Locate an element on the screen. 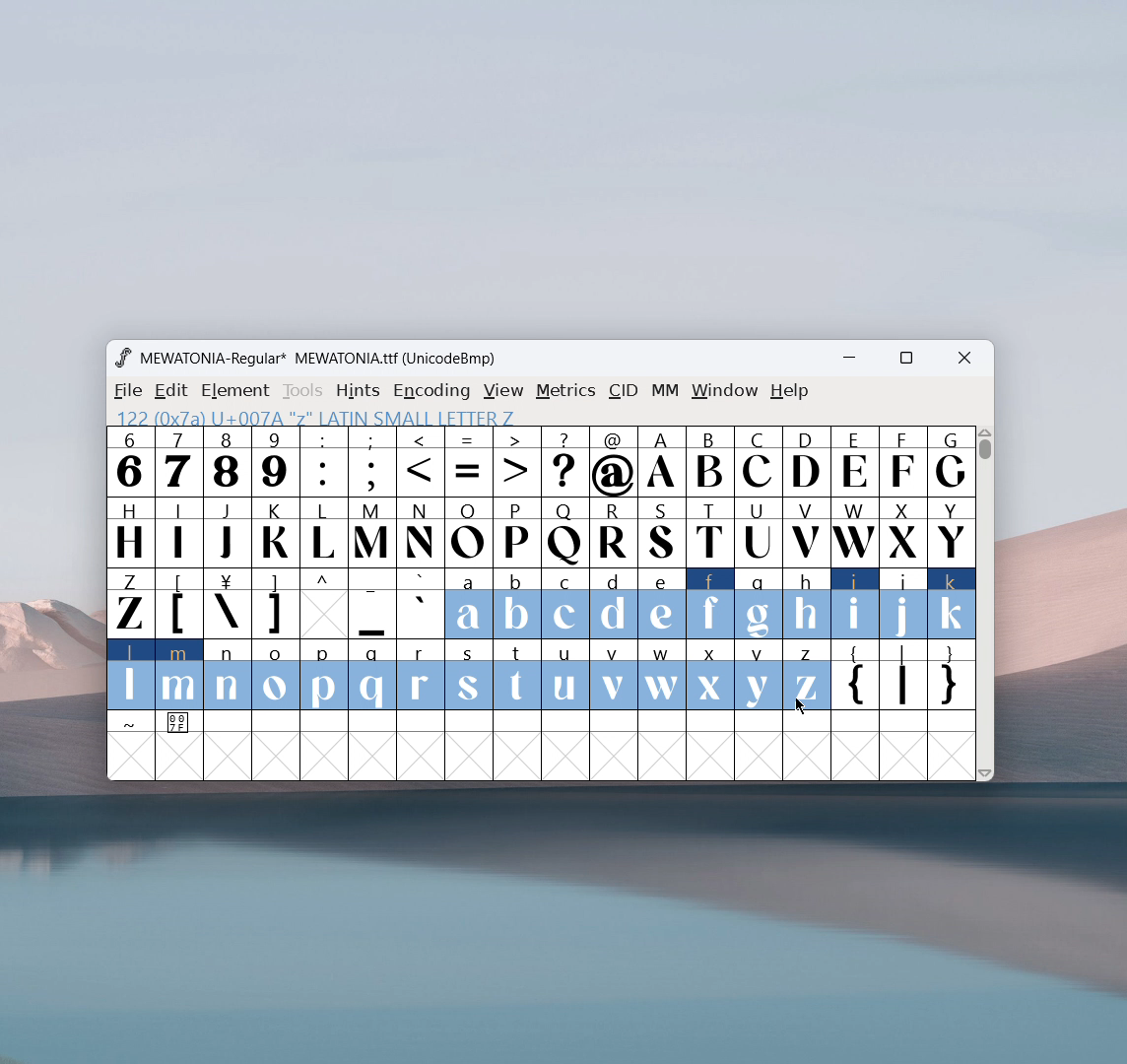 Image resolution: width=1127 pixels, height=1064 pixels. minimize is located at coordinates (856, 361).